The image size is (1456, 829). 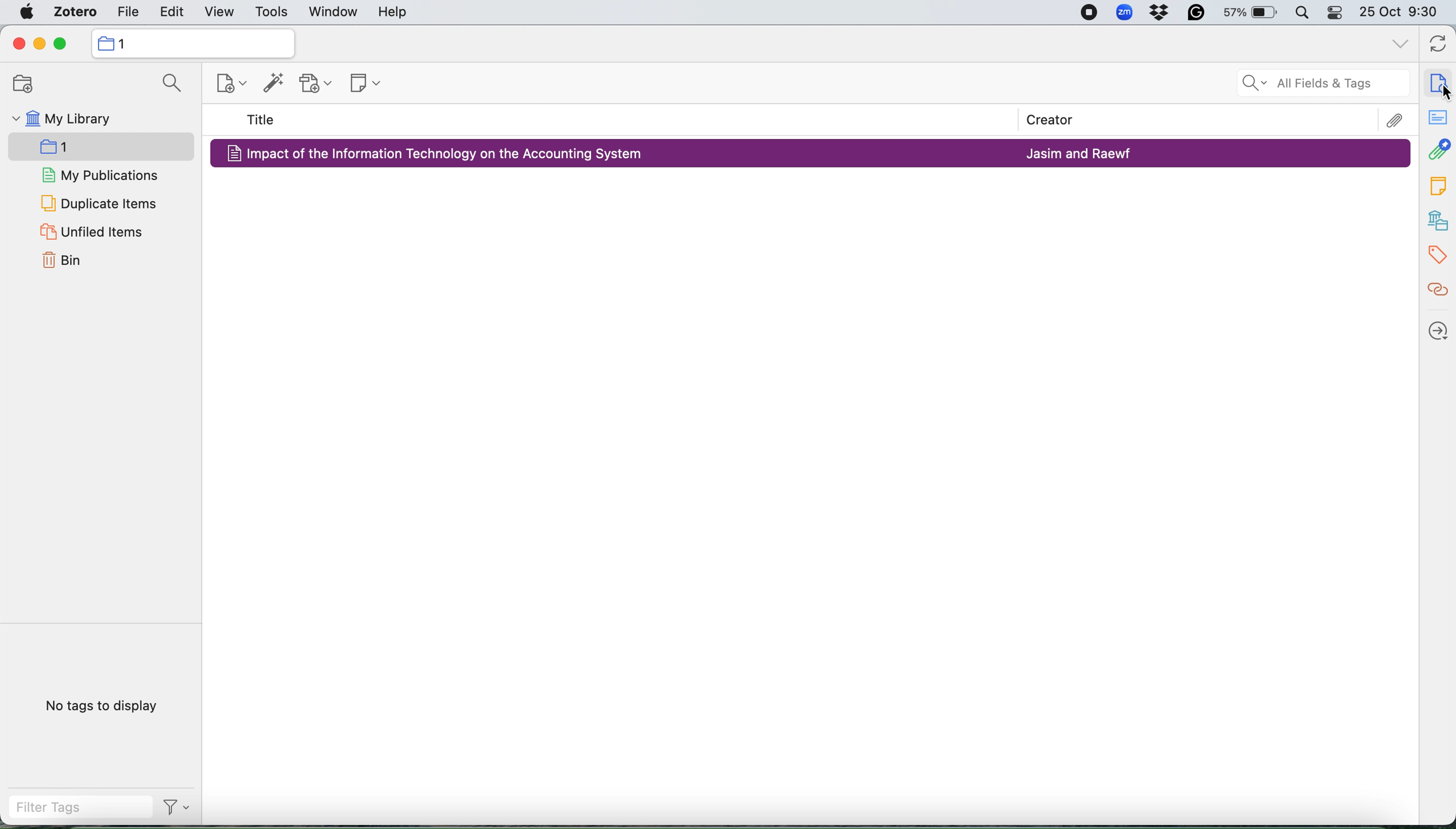 What do you see at coordinates (363, 85) in the screenshot?
I see `new note` at bounding box center [363, 85].